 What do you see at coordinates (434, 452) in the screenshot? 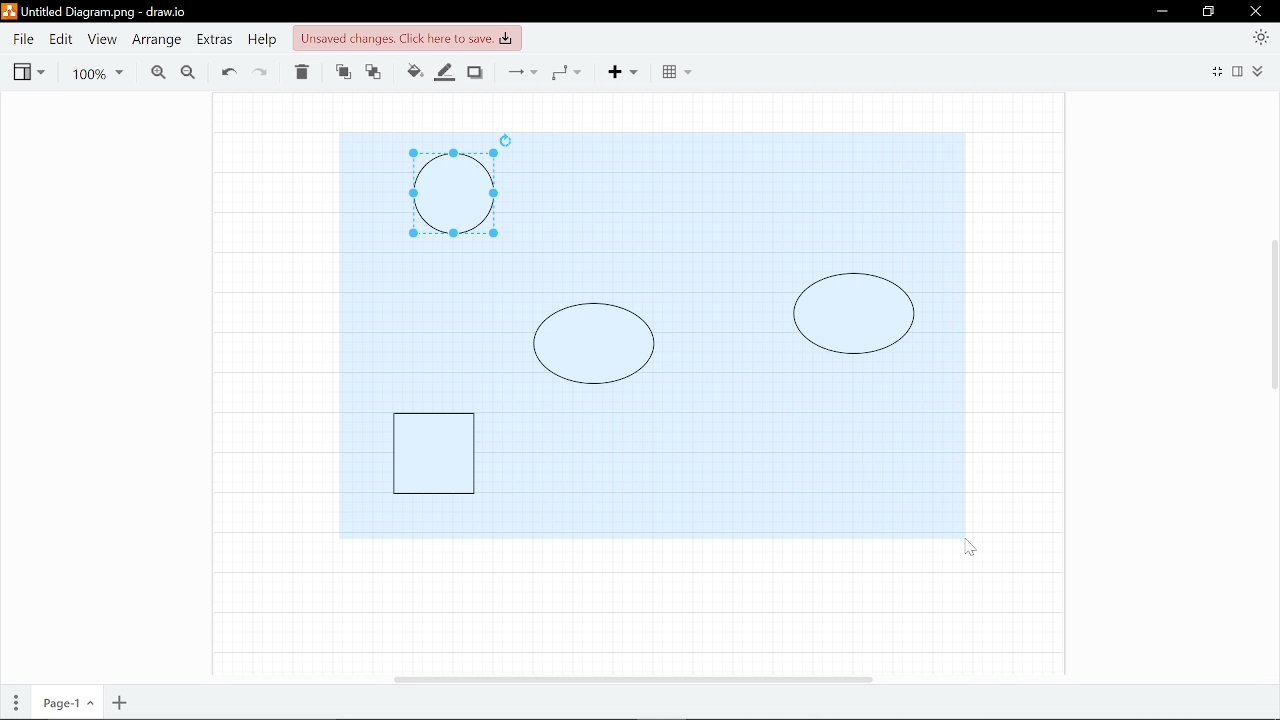
I see `Diagram` at bounding box center [434, 452].